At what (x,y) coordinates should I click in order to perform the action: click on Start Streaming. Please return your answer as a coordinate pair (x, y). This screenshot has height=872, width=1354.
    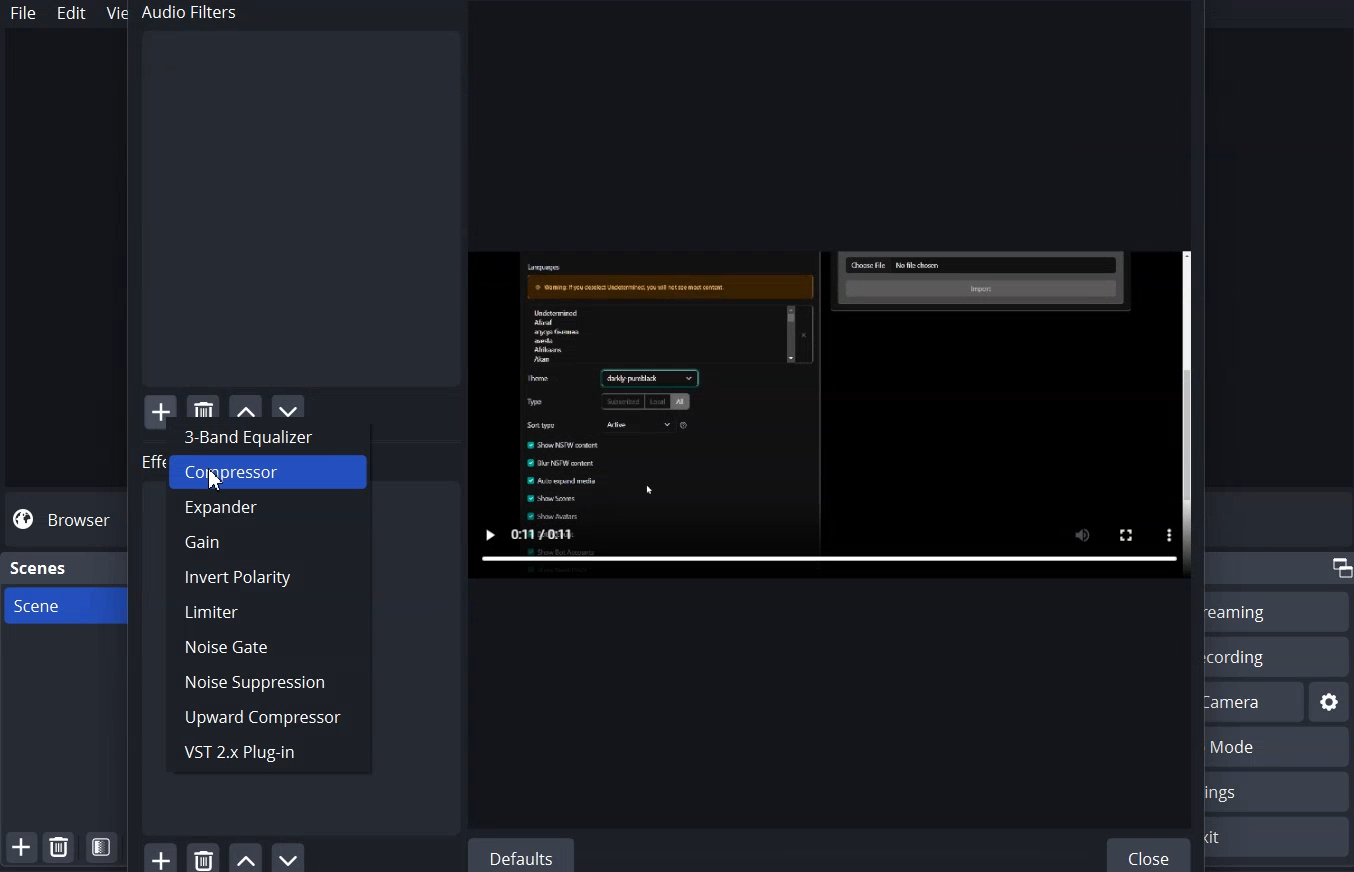
    Looking at the image, I should click on (1278, 611).